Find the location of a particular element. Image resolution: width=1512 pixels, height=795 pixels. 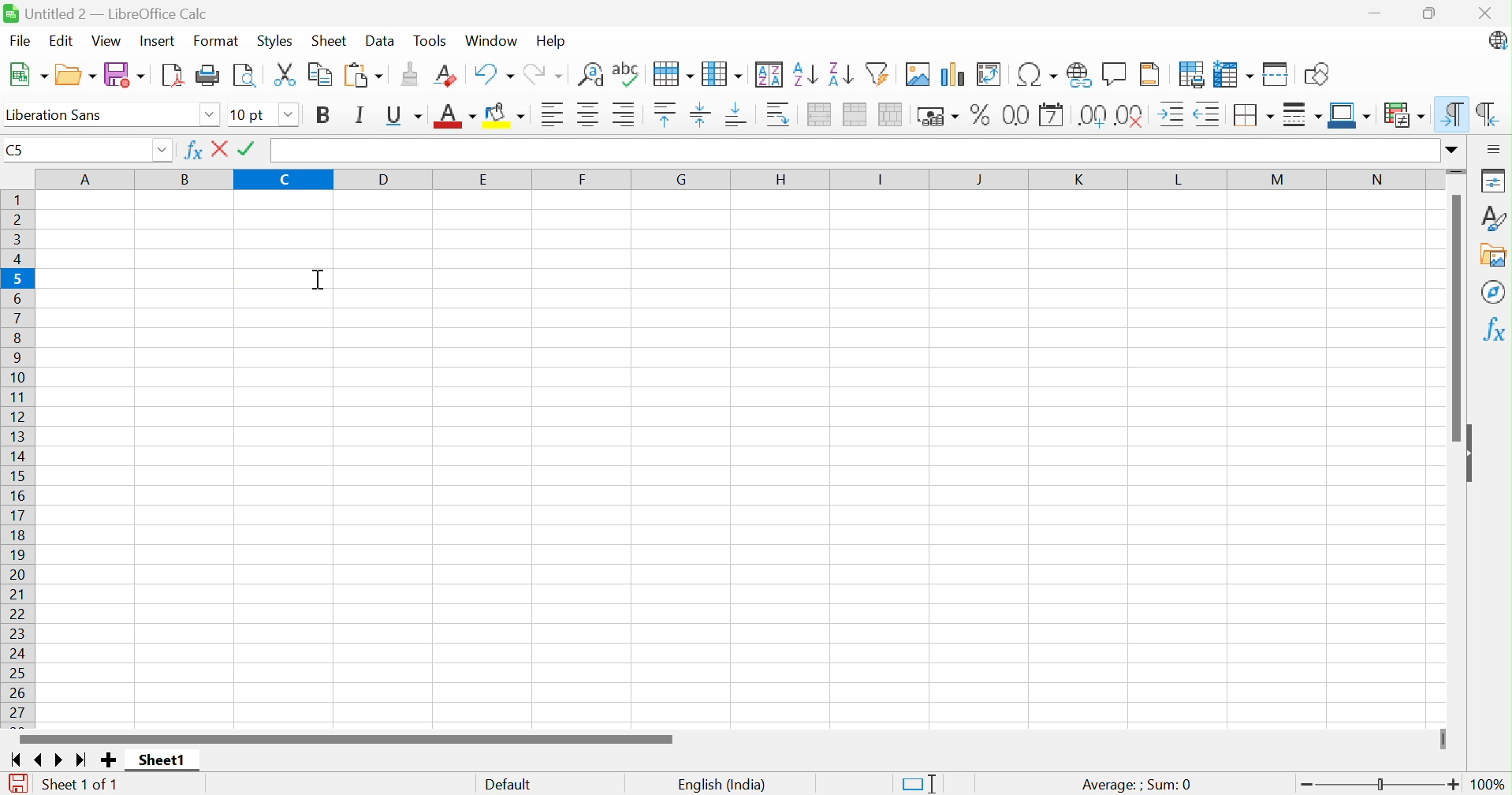

New is located at coordinates (29, 76).